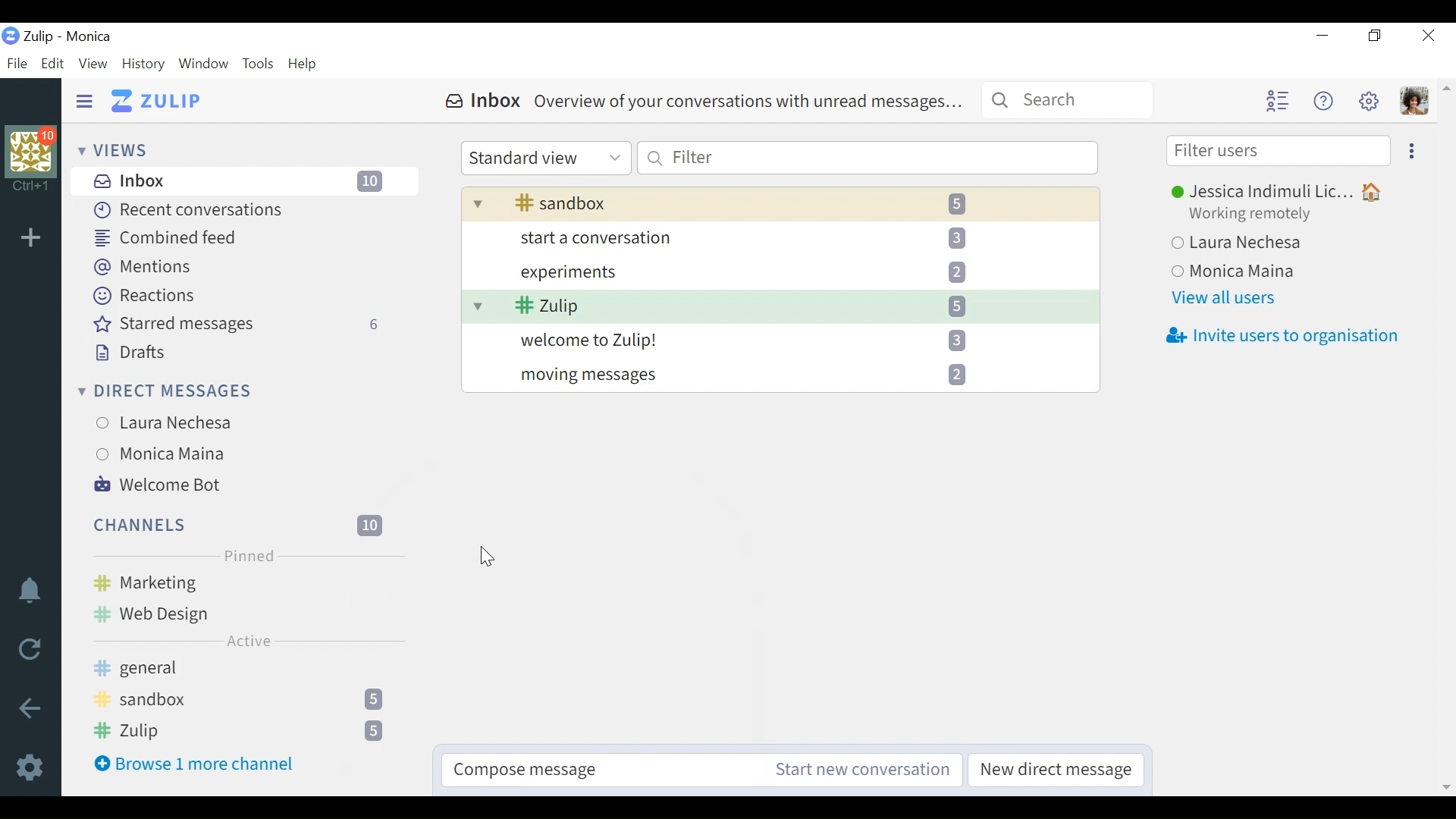 Image resolution: width=1456 pixels, height=819 pixels. I want to click on View, so click(92, 64).